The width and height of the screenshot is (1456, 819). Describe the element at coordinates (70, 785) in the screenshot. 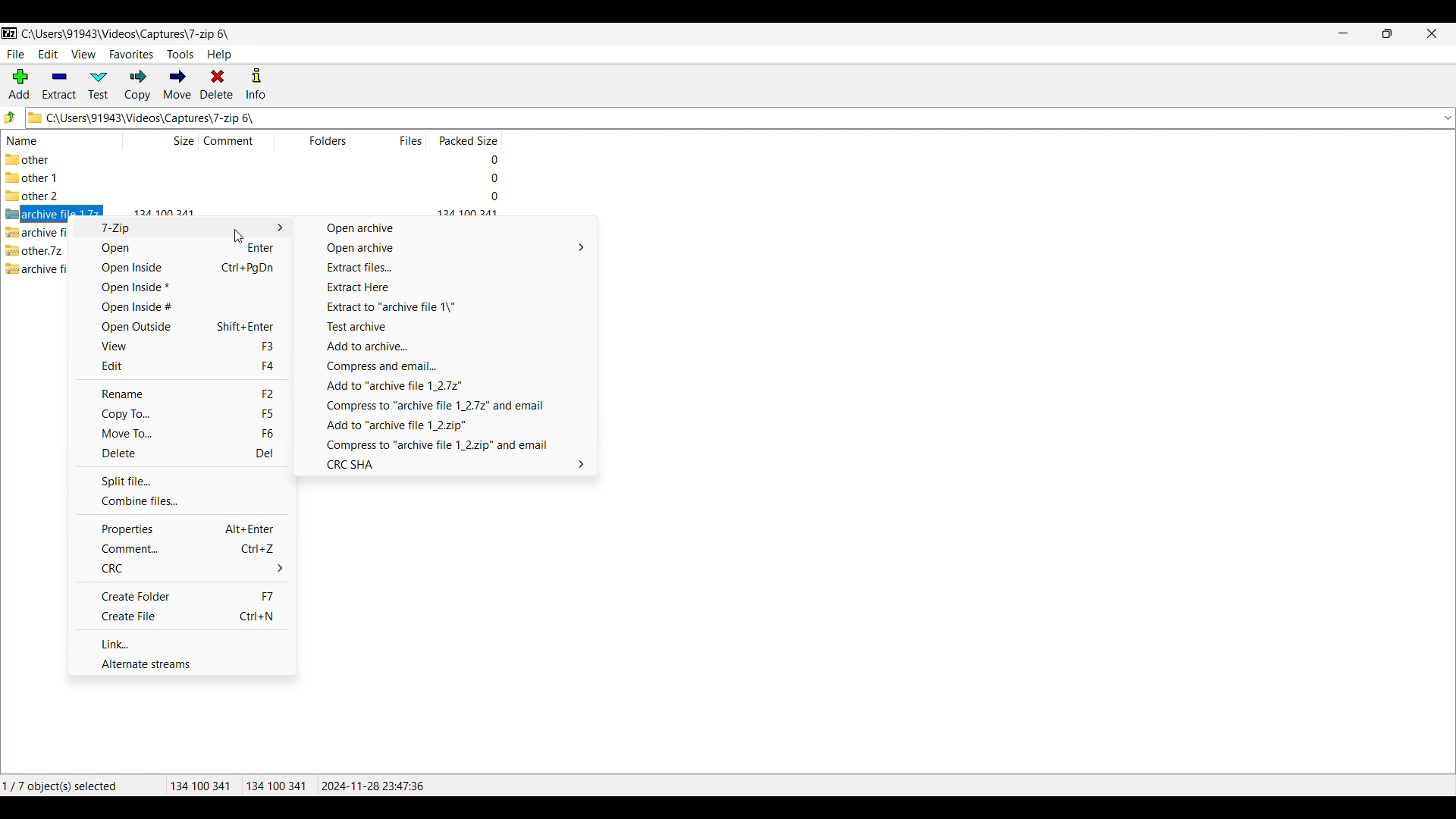

I see `1/7 object(s) selected` at that location.